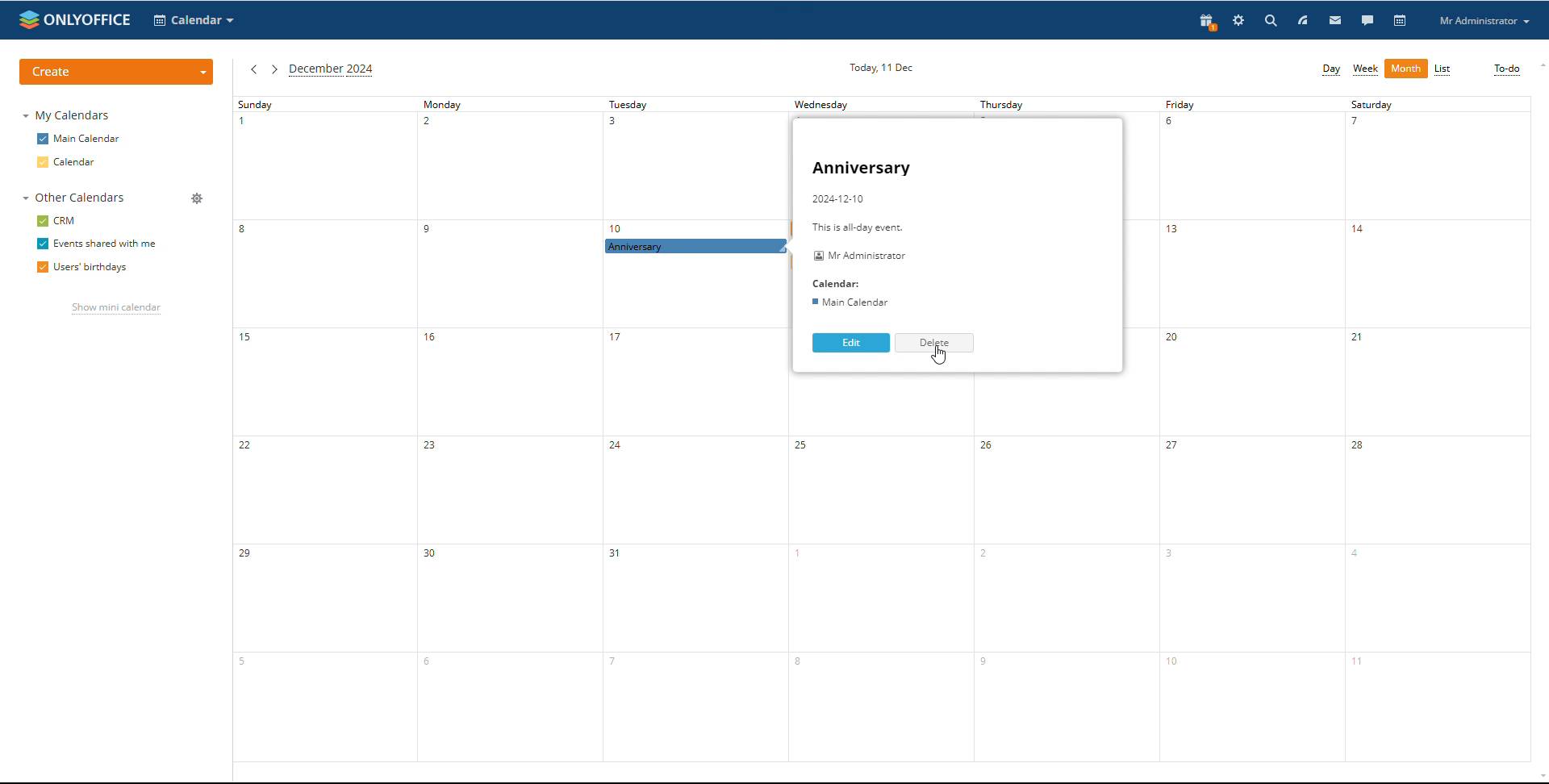  I want to click on calendar, so click(1401, 21).